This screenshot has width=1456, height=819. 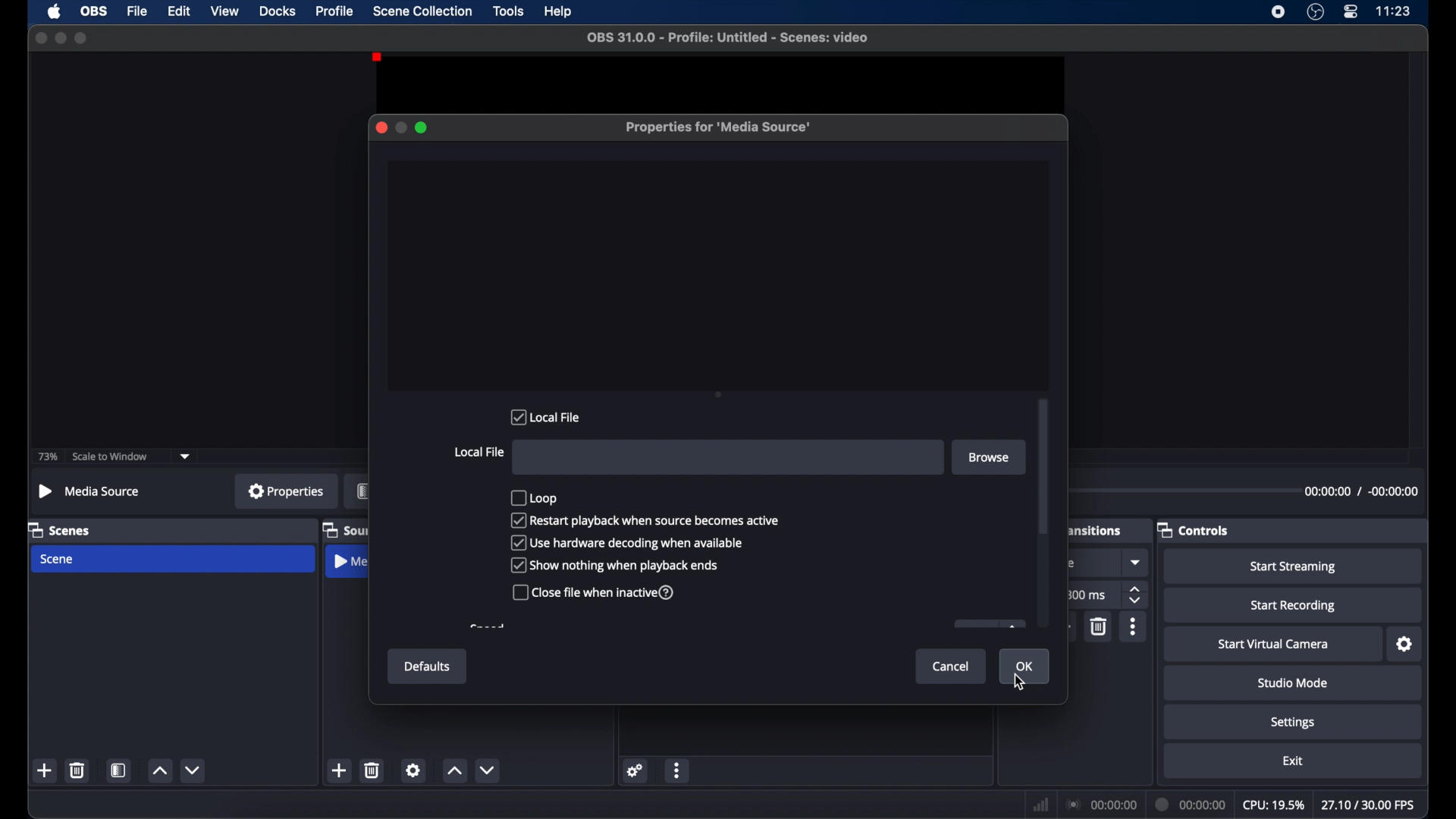 What do you see at coordinates (422, 127) in the screenshot?
I see `maximize` at bounding box center [422, 127].